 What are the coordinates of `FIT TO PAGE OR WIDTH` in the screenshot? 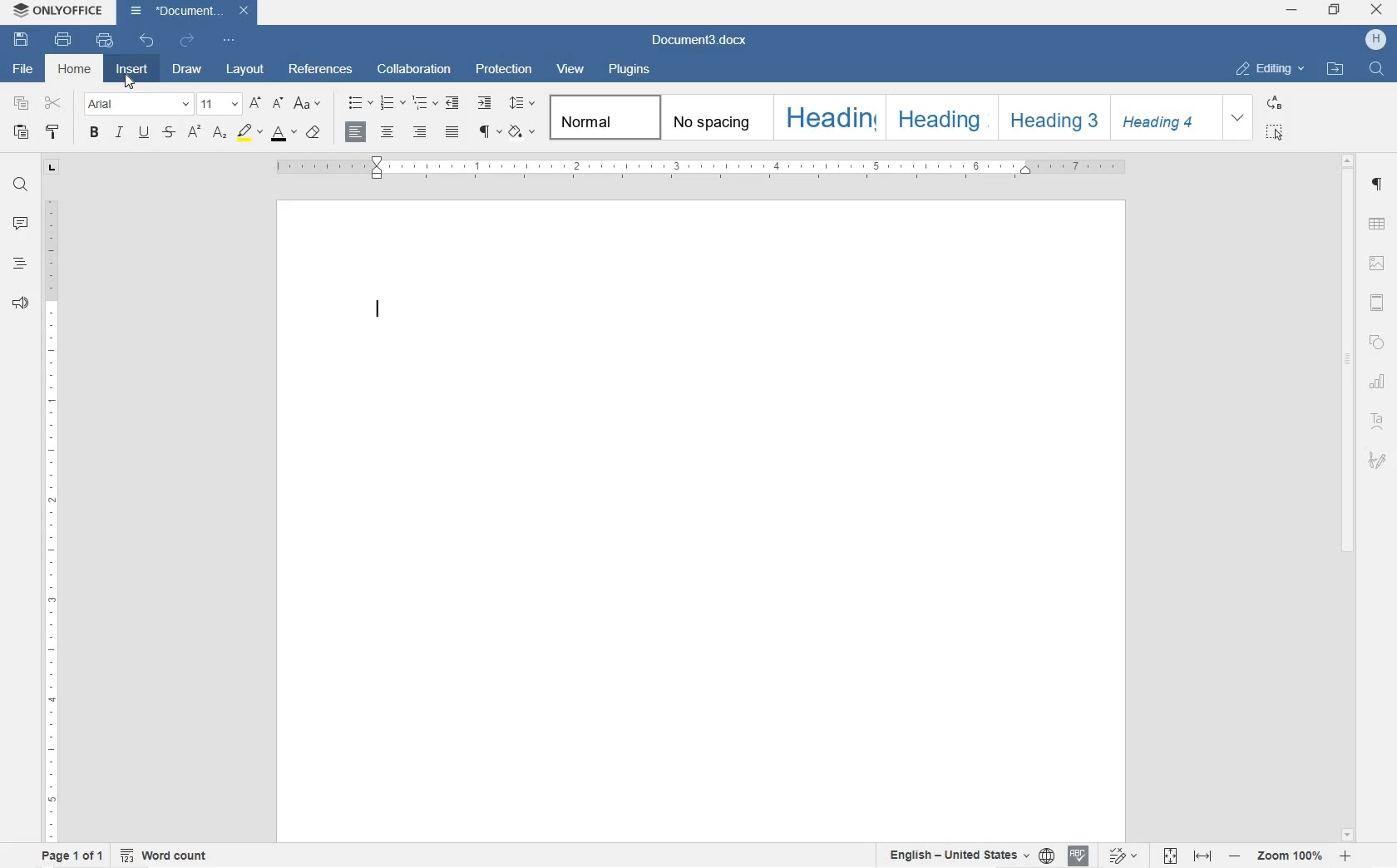 It's located at (1187, 857).